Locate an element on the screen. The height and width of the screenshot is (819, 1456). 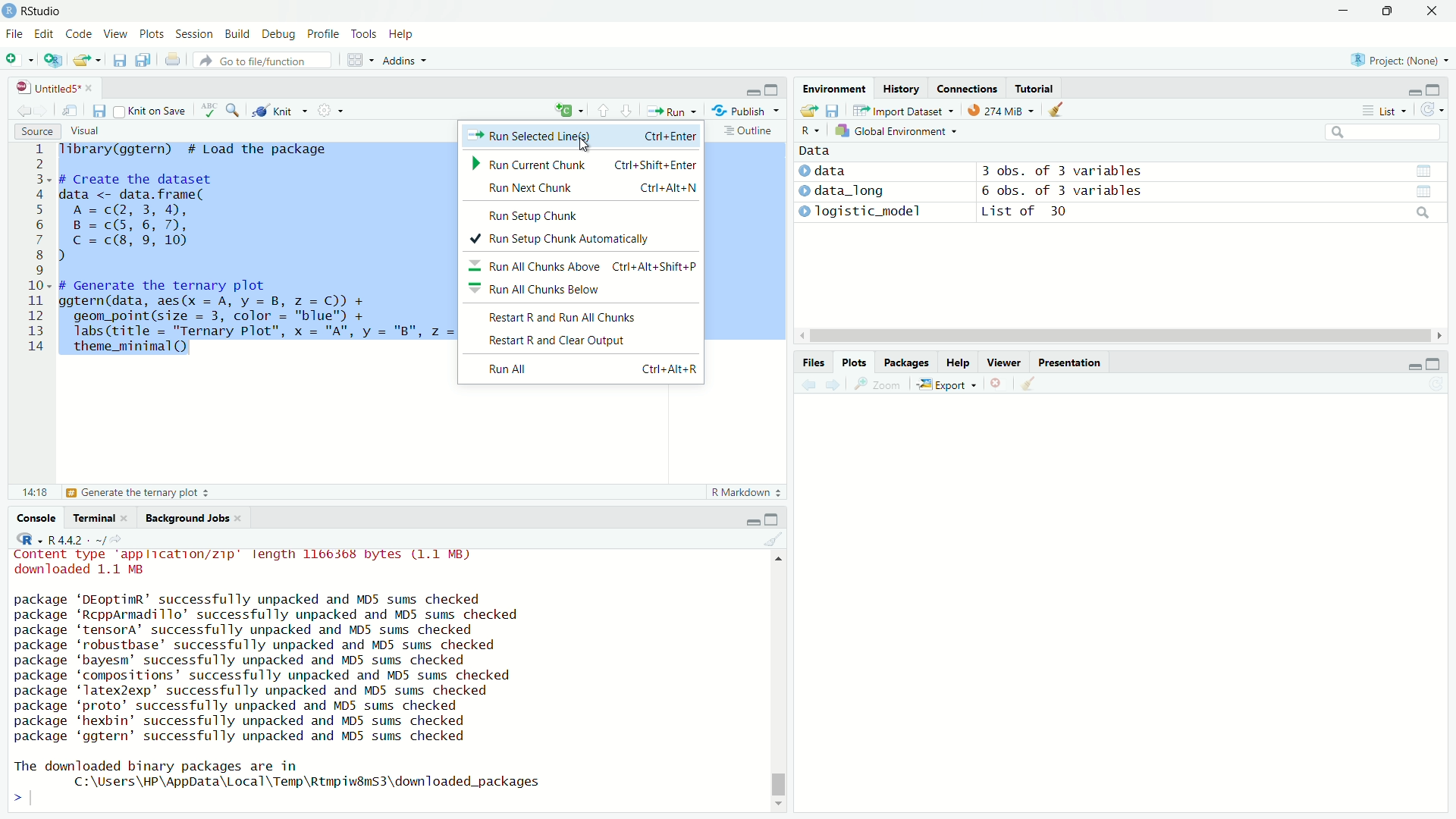
Restart R and Clear Output is located at coordinates (564, 341).